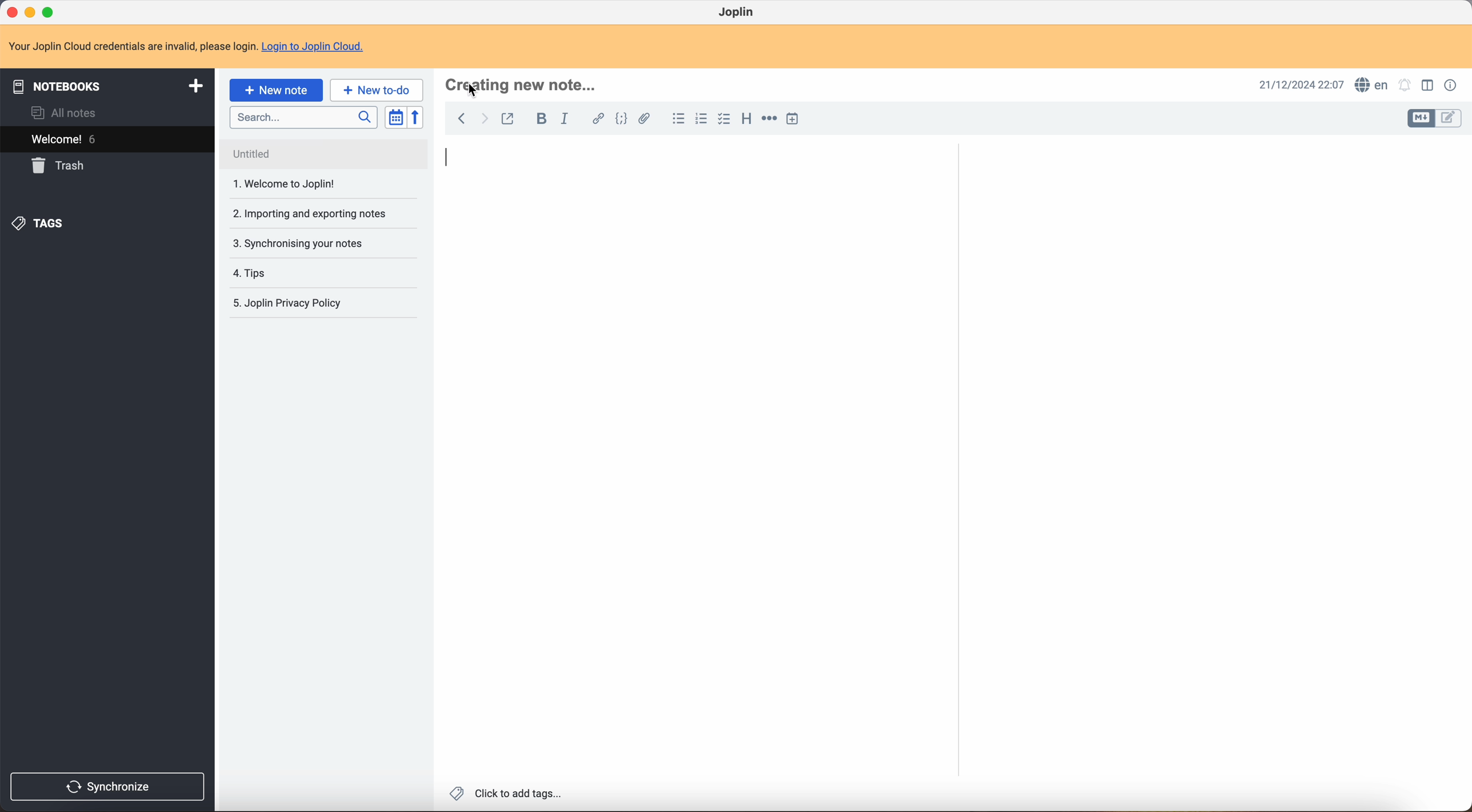 This screenshot has width=1472, height=812. I want to click on synchronise, so click(111, 786).